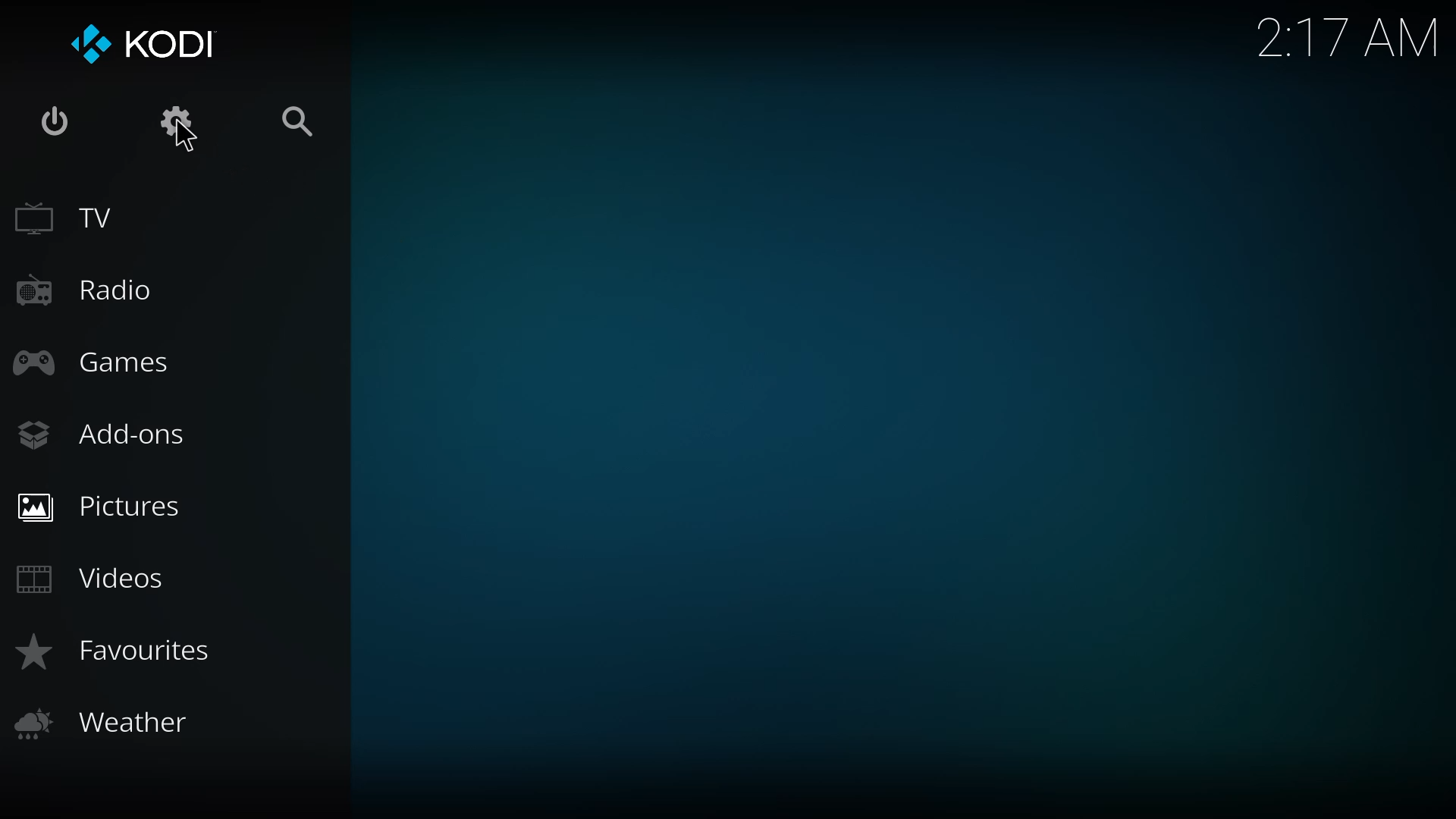 The width and height of the screenshot is (1456, 819). What do you see at coordinates (171, 120) in the screenshot?
I see `settings` at bounding box center [171, 120].